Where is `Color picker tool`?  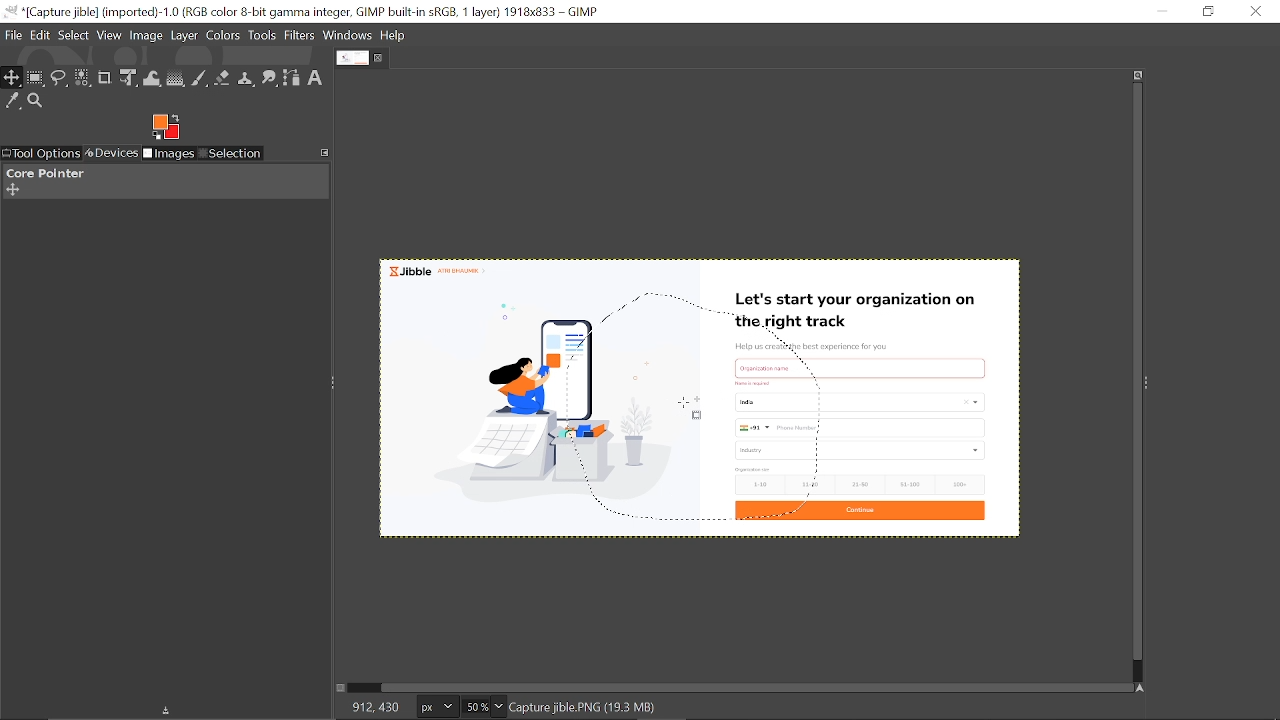 Color picker tool is located at coordinates (13, 102).